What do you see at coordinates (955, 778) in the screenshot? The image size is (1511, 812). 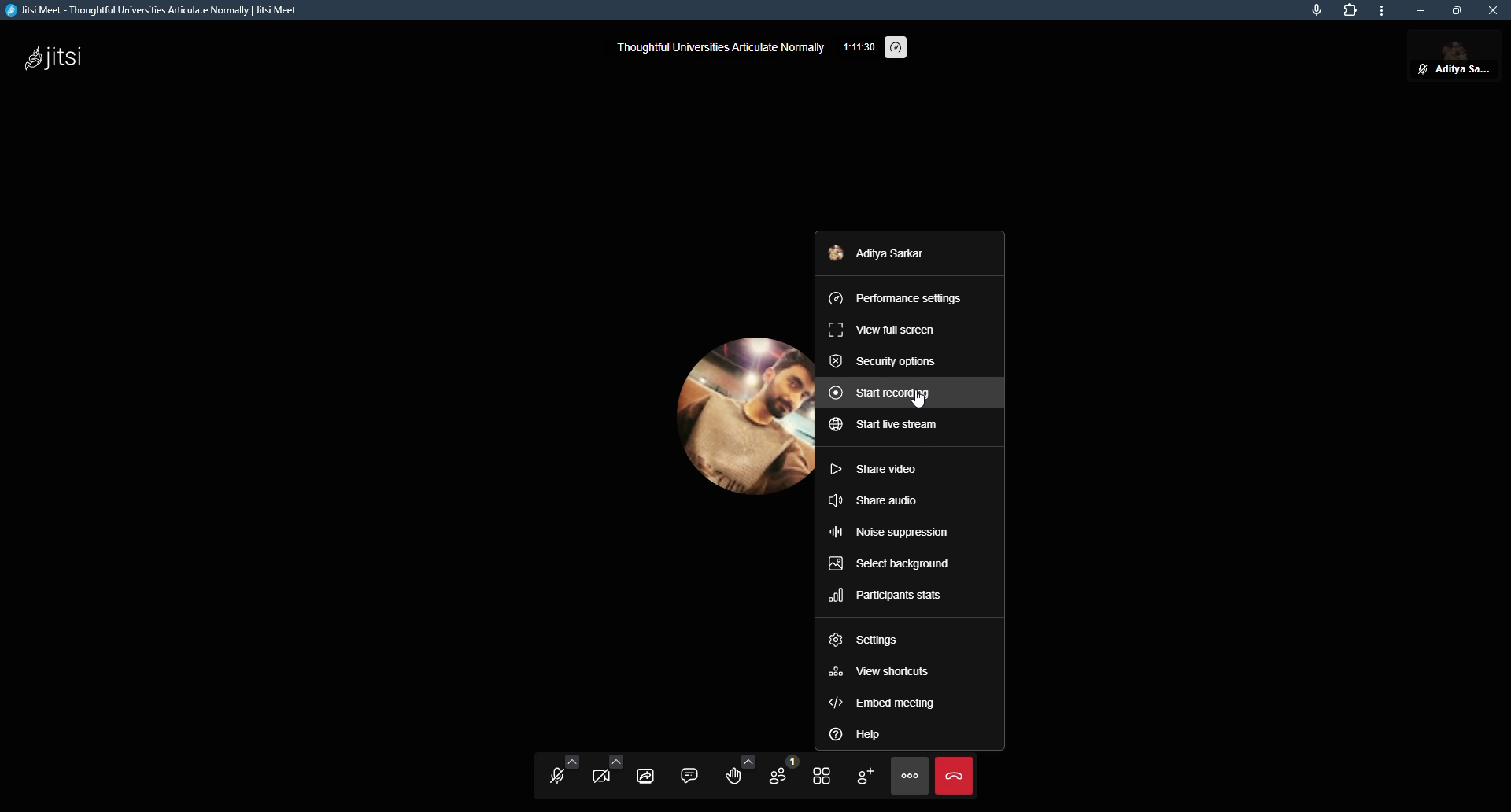 I see `end call` at bounding box center [955, 778].